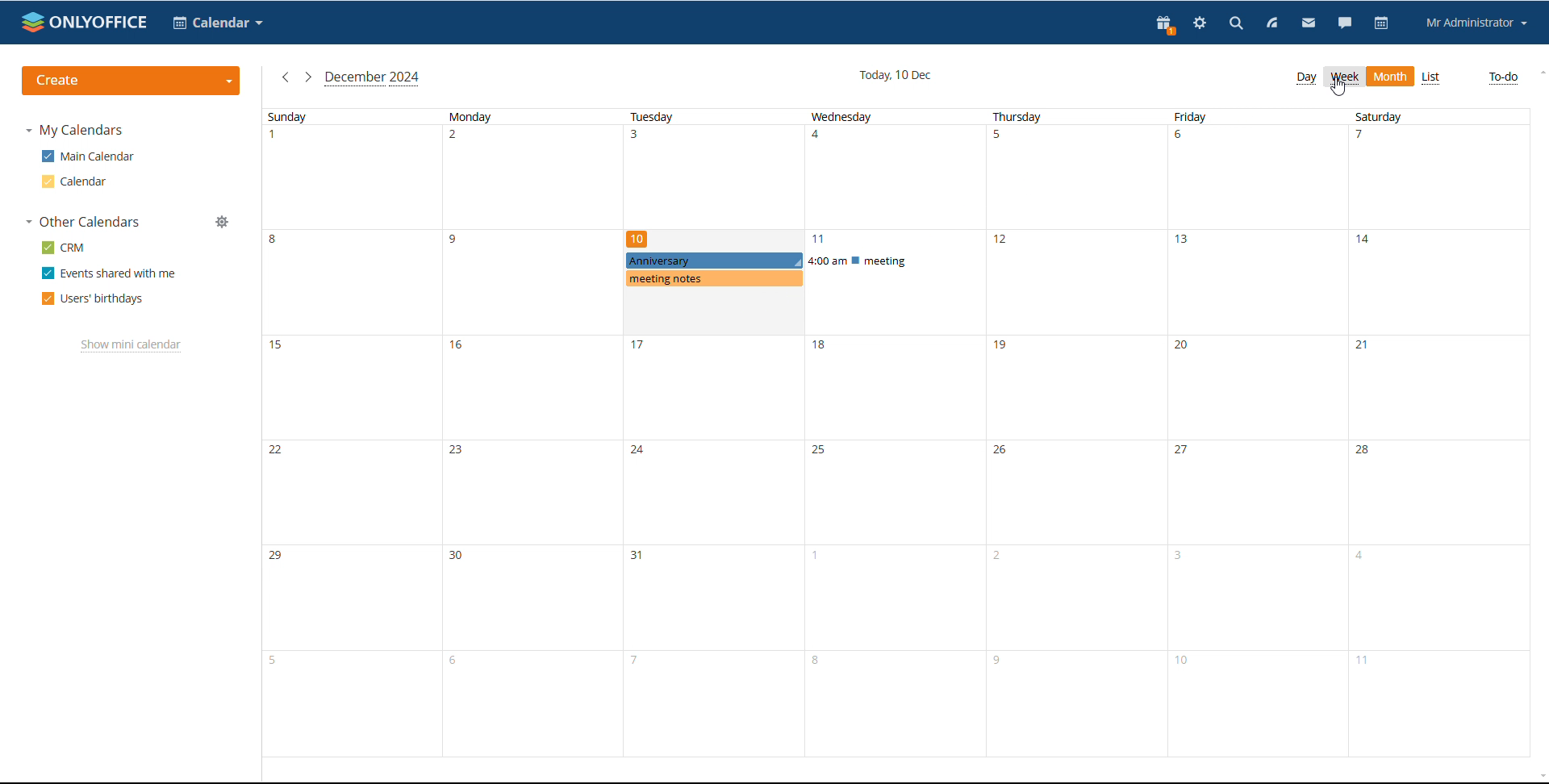 This screenshot has height=784, width=1549. What do you see at coordinates (219, 22) in the screenshot?
I see `calender` at bounding box center [219, 22].